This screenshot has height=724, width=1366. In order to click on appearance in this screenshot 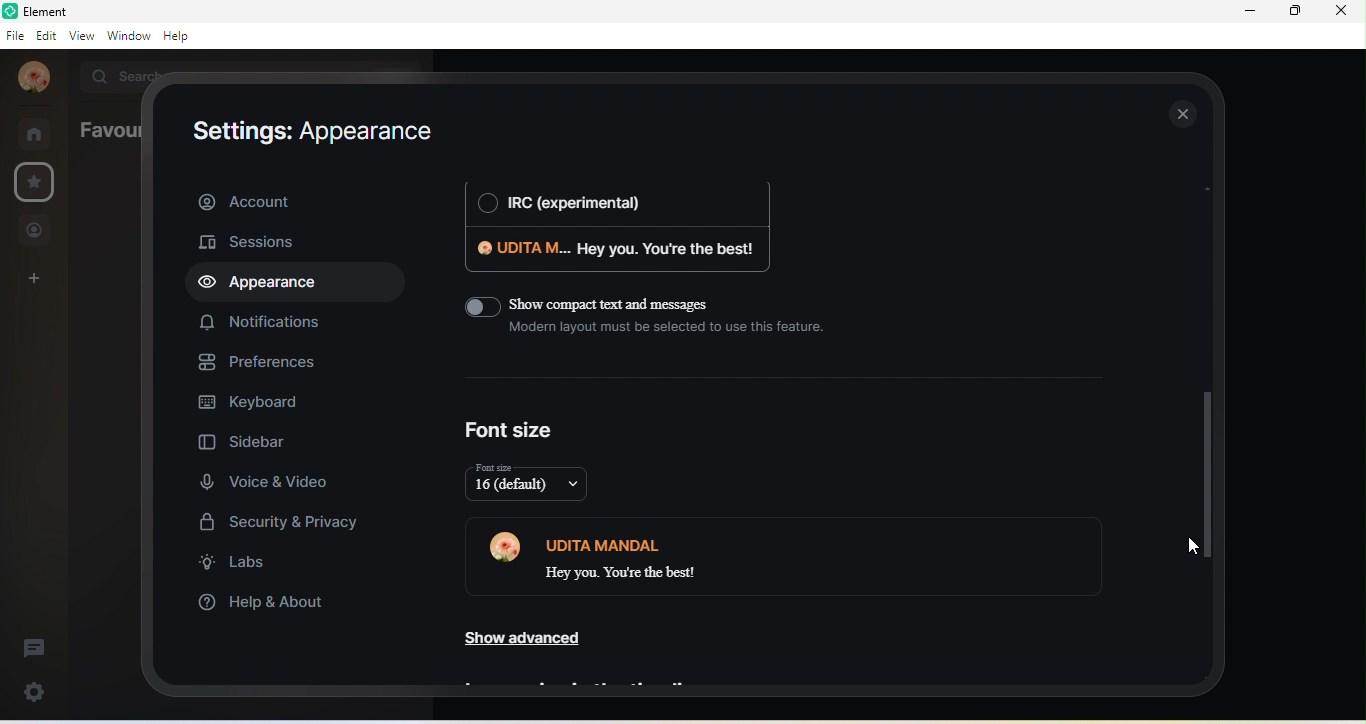, I will do `click(268, 285)`.